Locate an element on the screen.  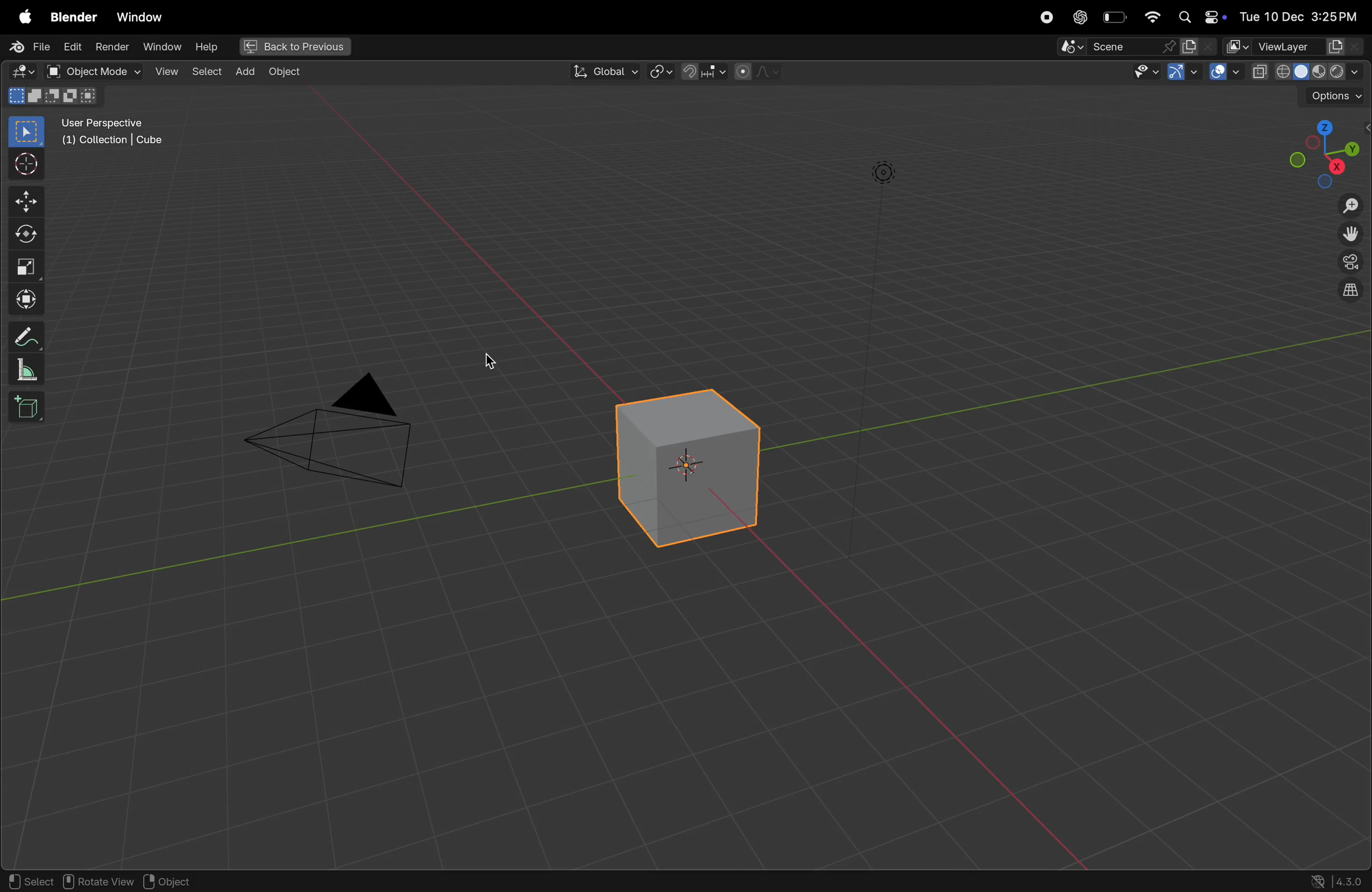
Visibility is located at coordinates (1141, 74).